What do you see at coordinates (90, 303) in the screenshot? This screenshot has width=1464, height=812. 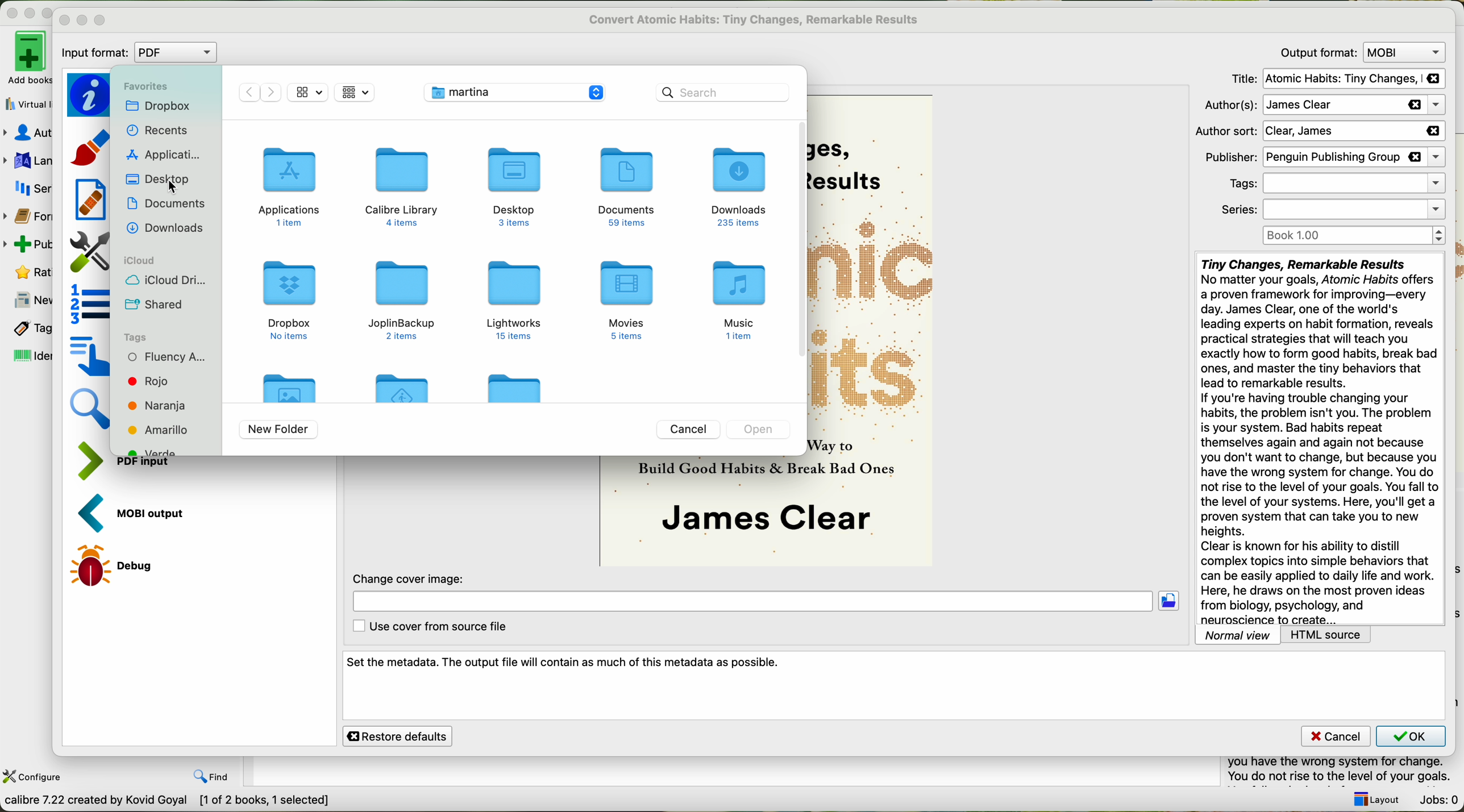 I see `structure detection` at bounding box center [90, 303].